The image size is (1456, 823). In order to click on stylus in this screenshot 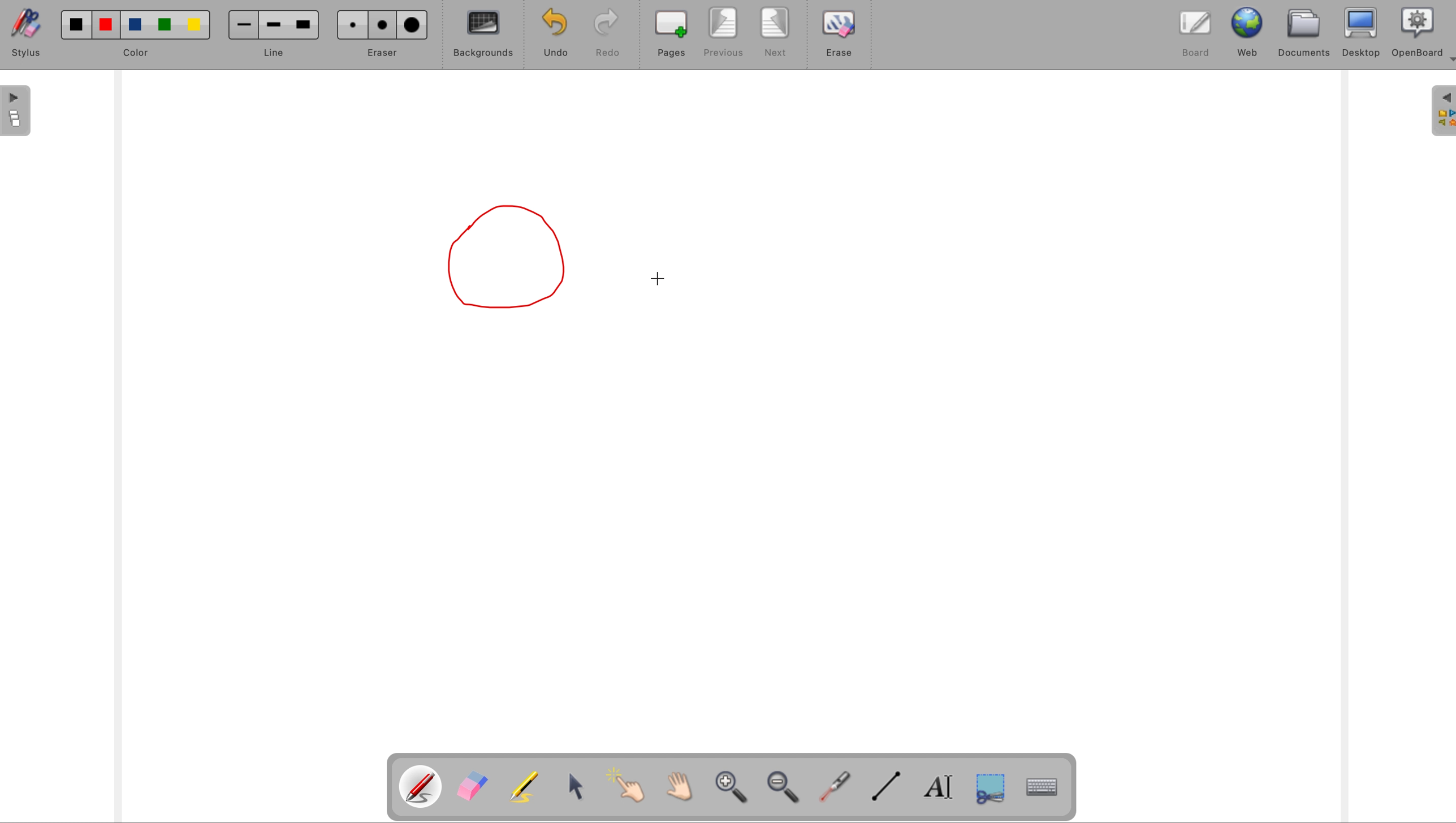, I will do `click(31, 32)`.